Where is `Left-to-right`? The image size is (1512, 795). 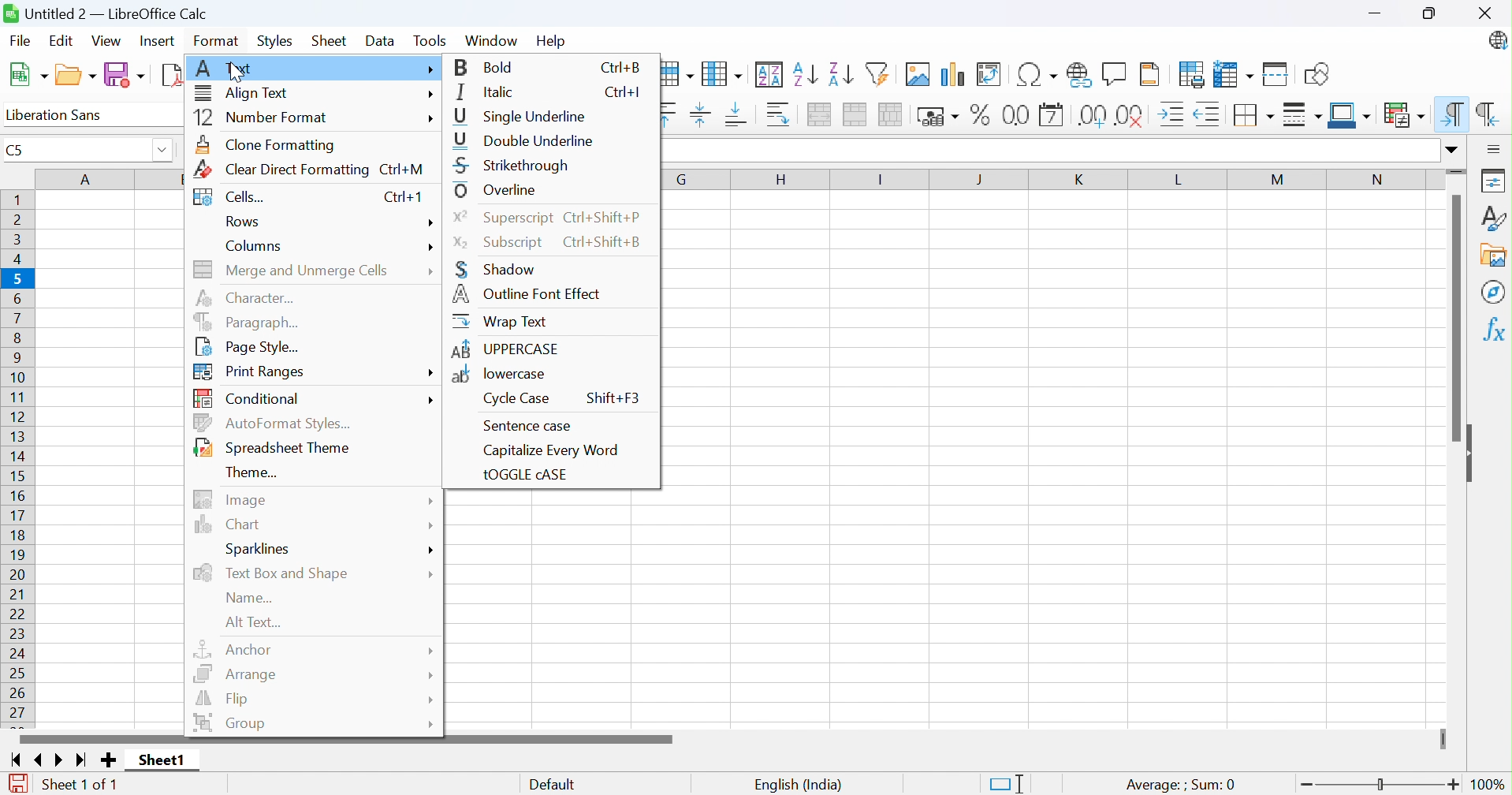 Left-to-right is located at coordinates (1454, 114).